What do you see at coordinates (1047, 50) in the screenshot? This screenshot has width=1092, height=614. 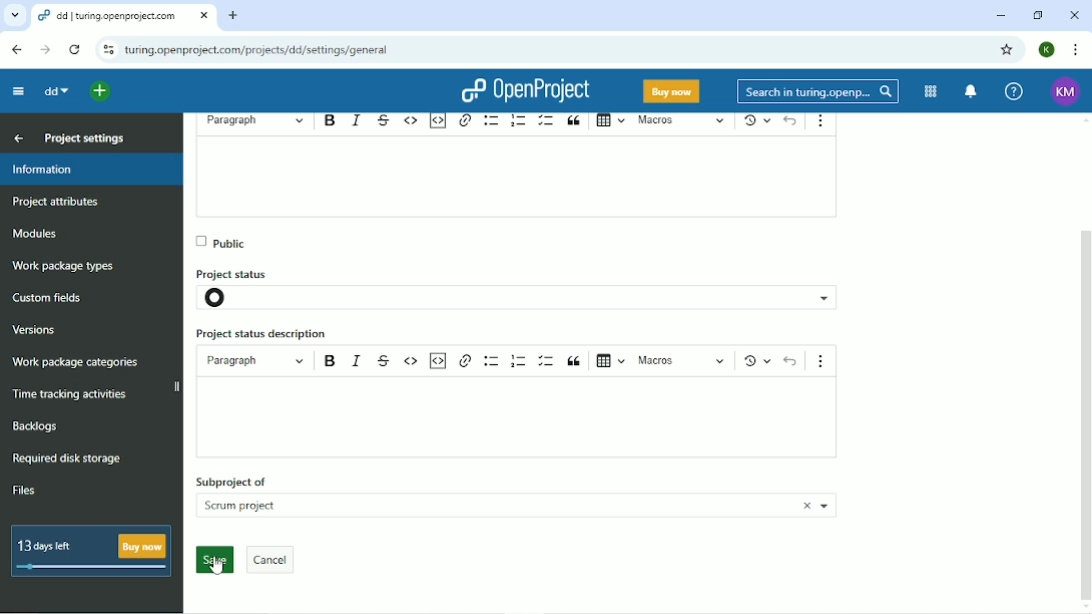 I see `K` at bounding box center [1047, 50].